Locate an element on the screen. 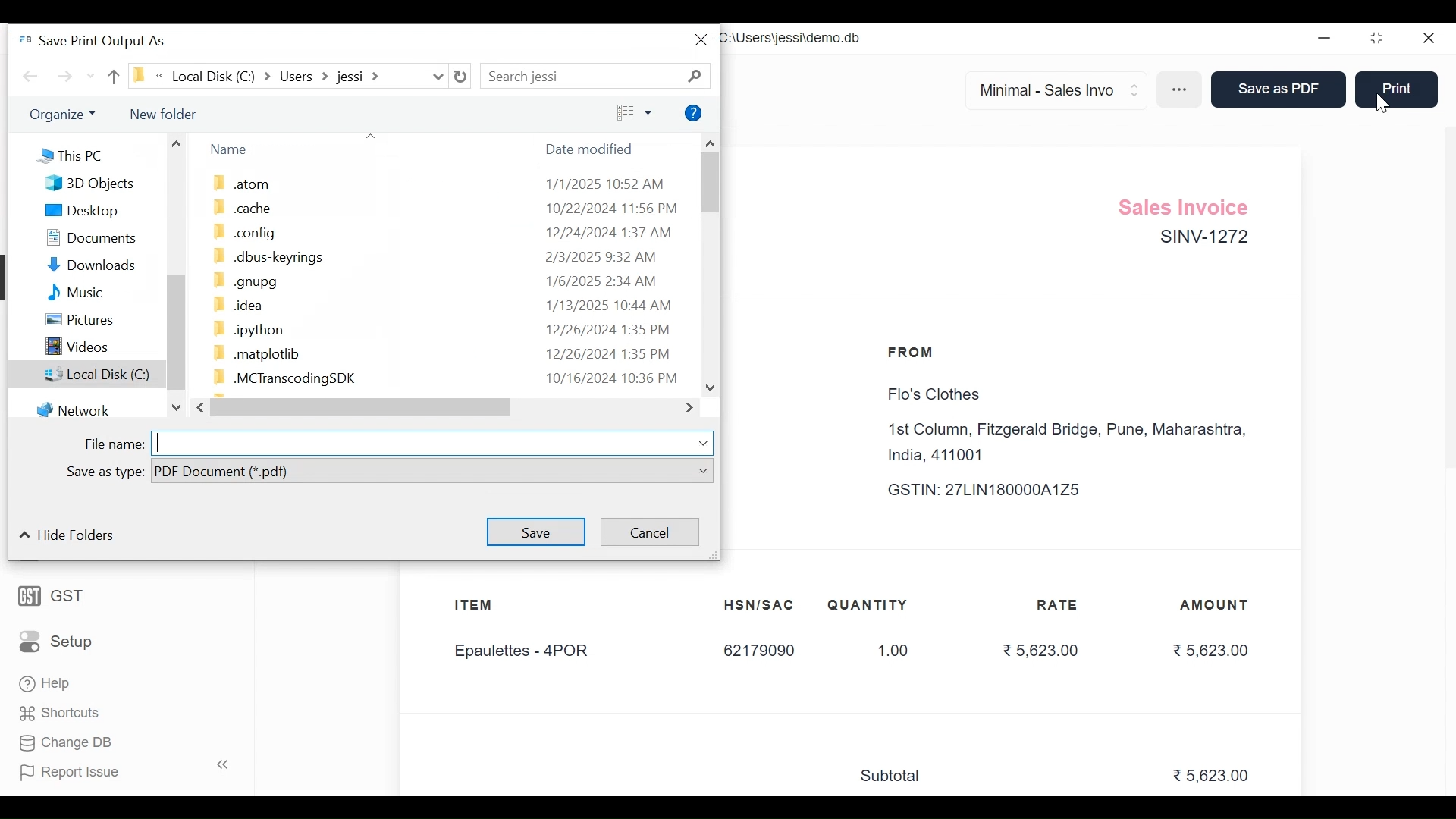  This PC is located at coordinates (68, 155).